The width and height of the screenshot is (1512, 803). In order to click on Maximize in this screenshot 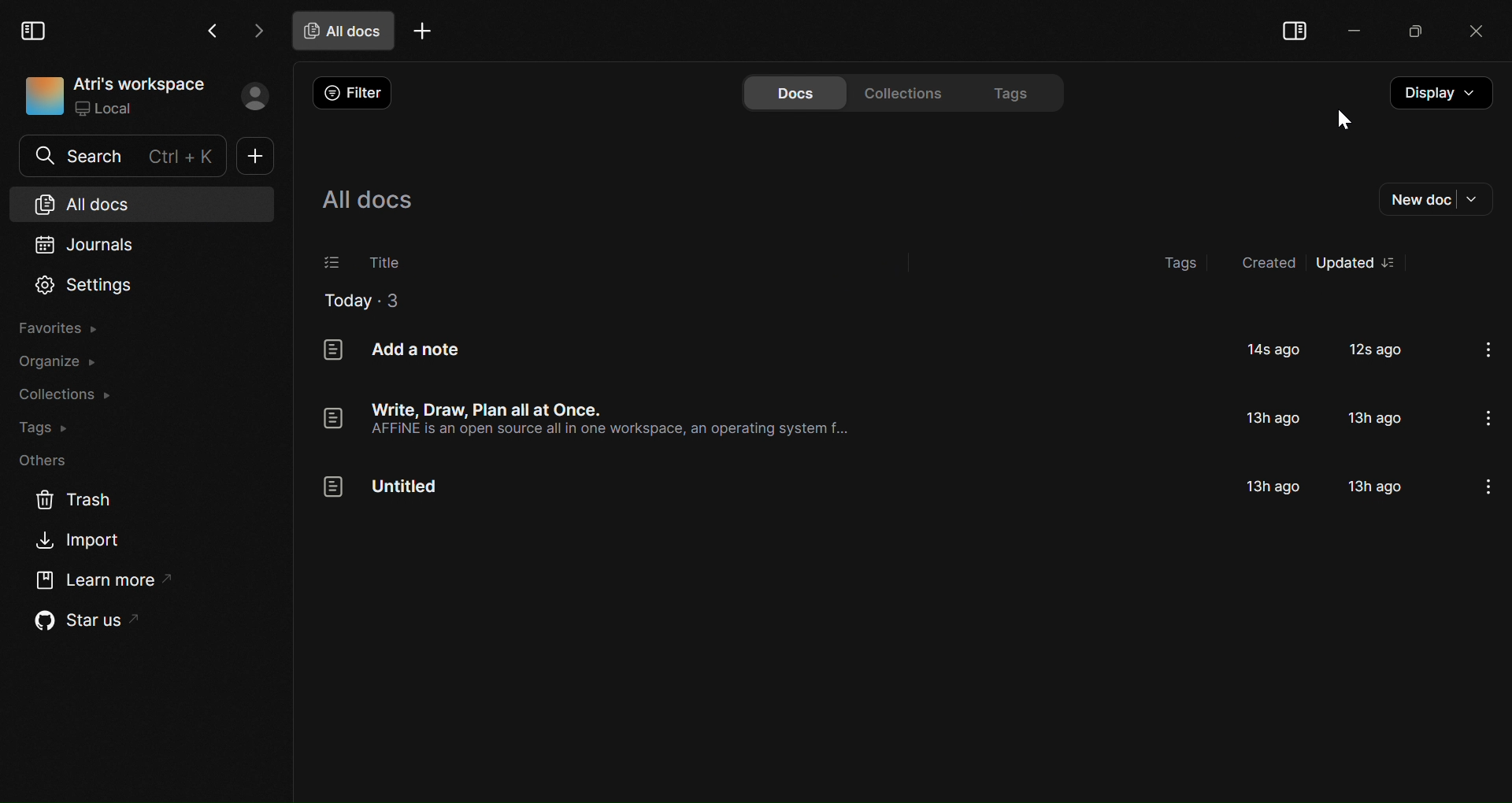, I will do `click(1410, 33)`.